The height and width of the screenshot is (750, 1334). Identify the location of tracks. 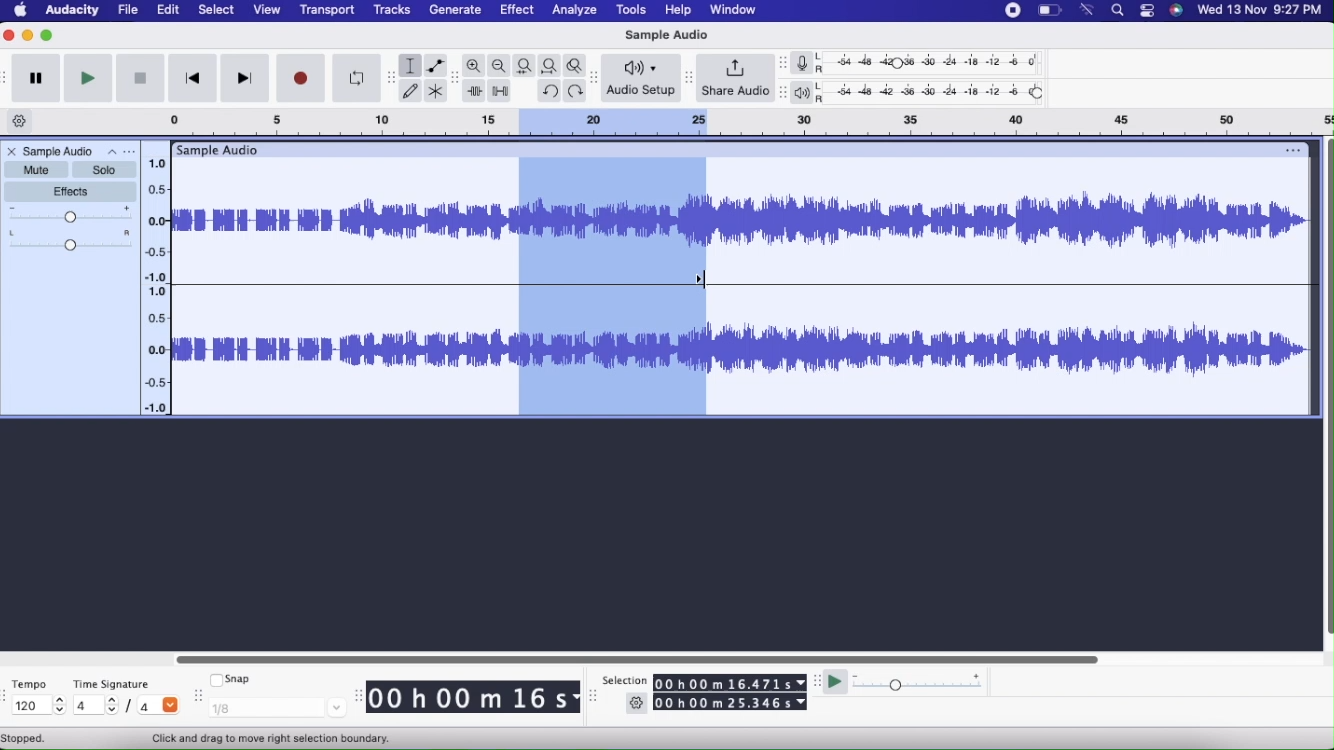
(394, 12).